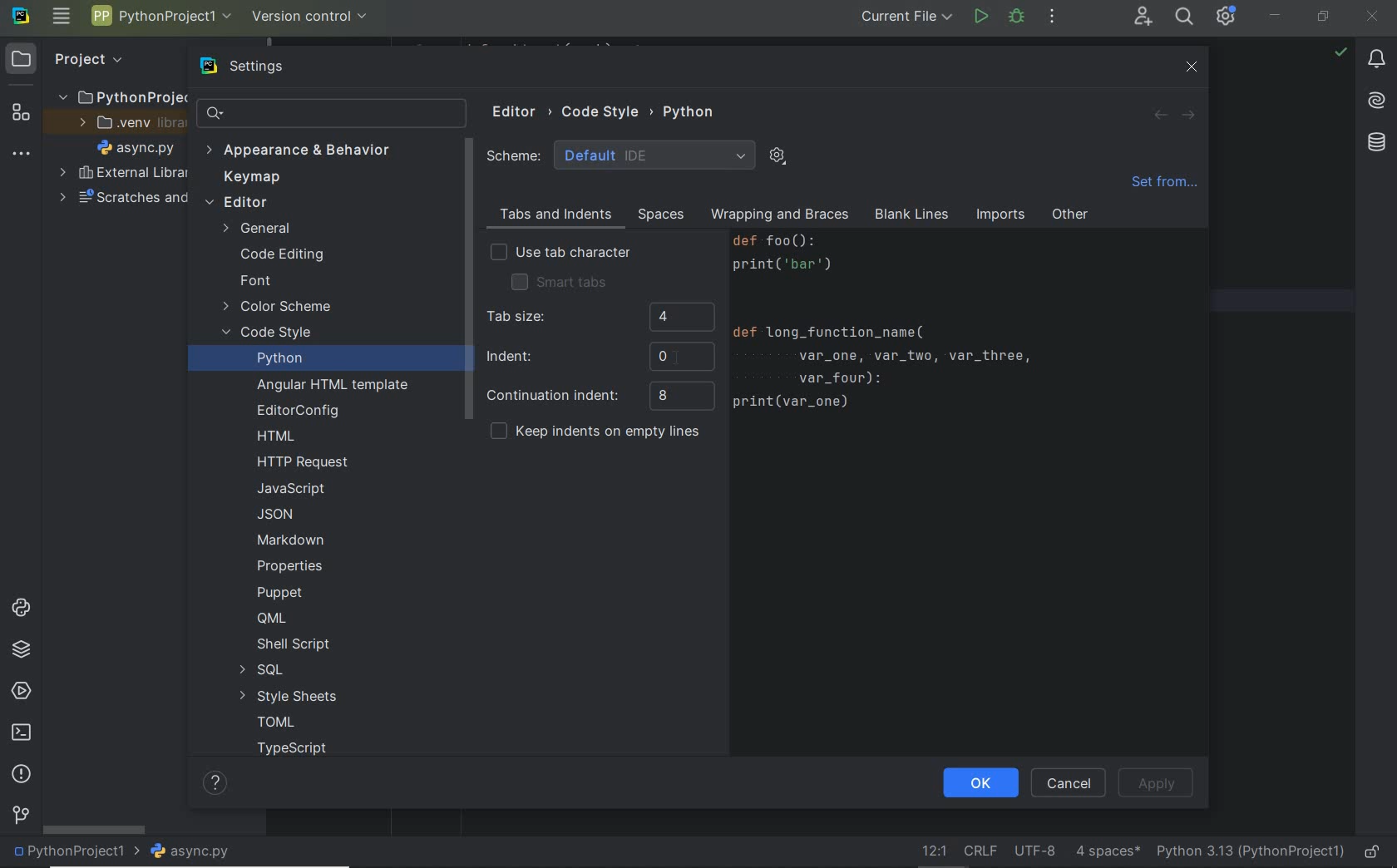  I want to click on terminal, so click(22, 733).